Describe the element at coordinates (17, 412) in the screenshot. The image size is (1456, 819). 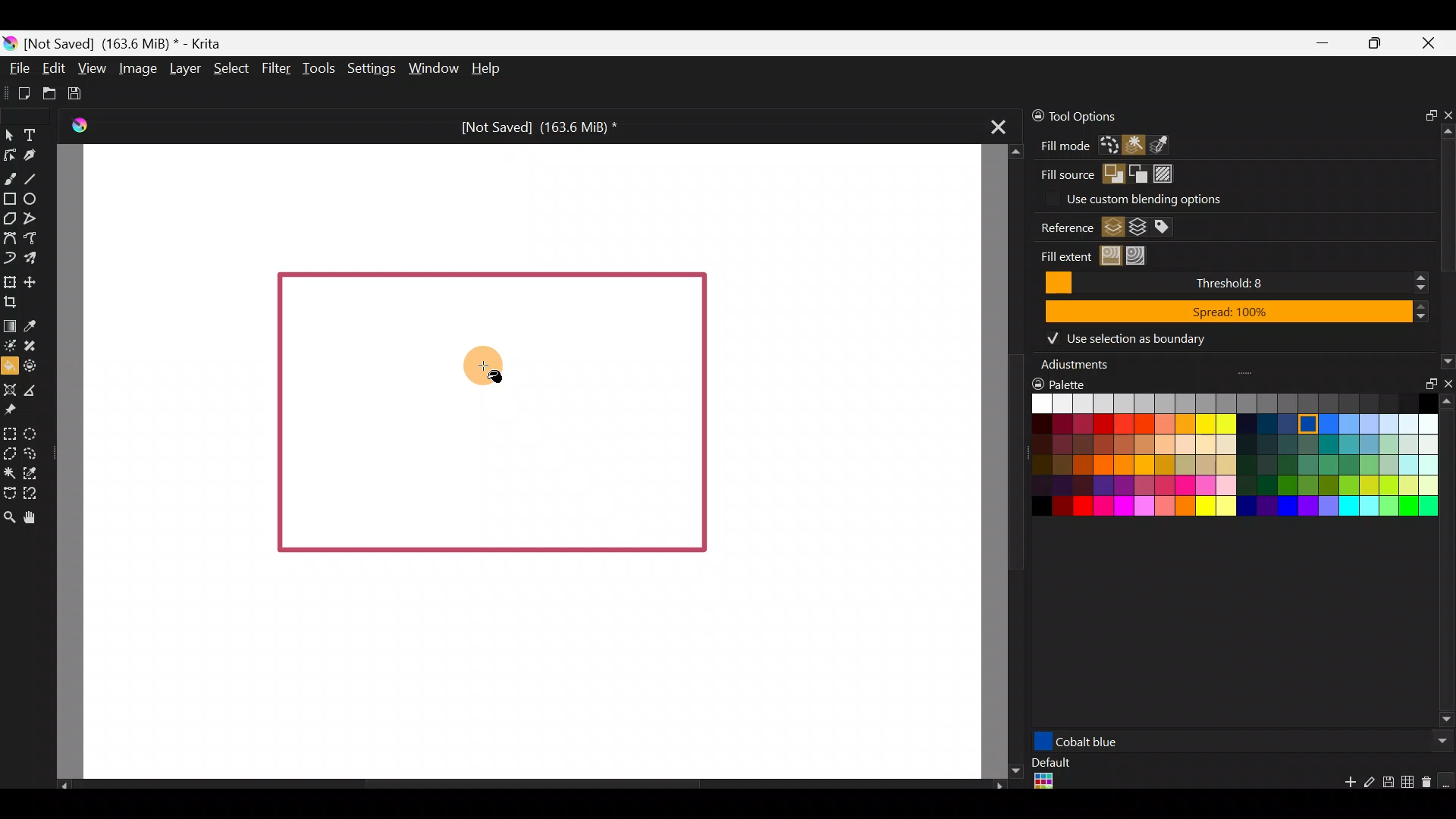
I see `Reference images tool` at that location.